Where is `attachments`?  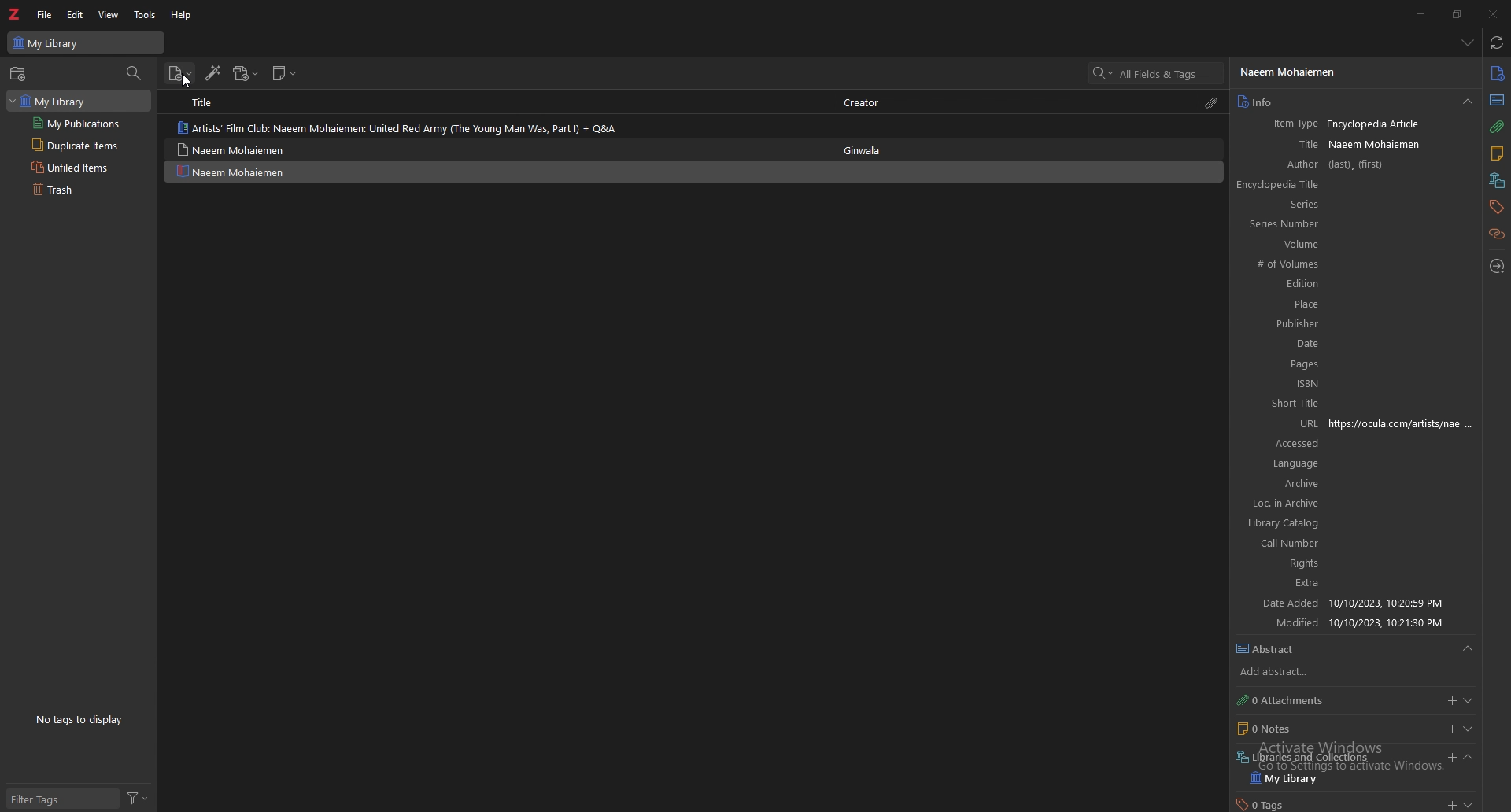 attachments is located at coordinates (1336, 700).